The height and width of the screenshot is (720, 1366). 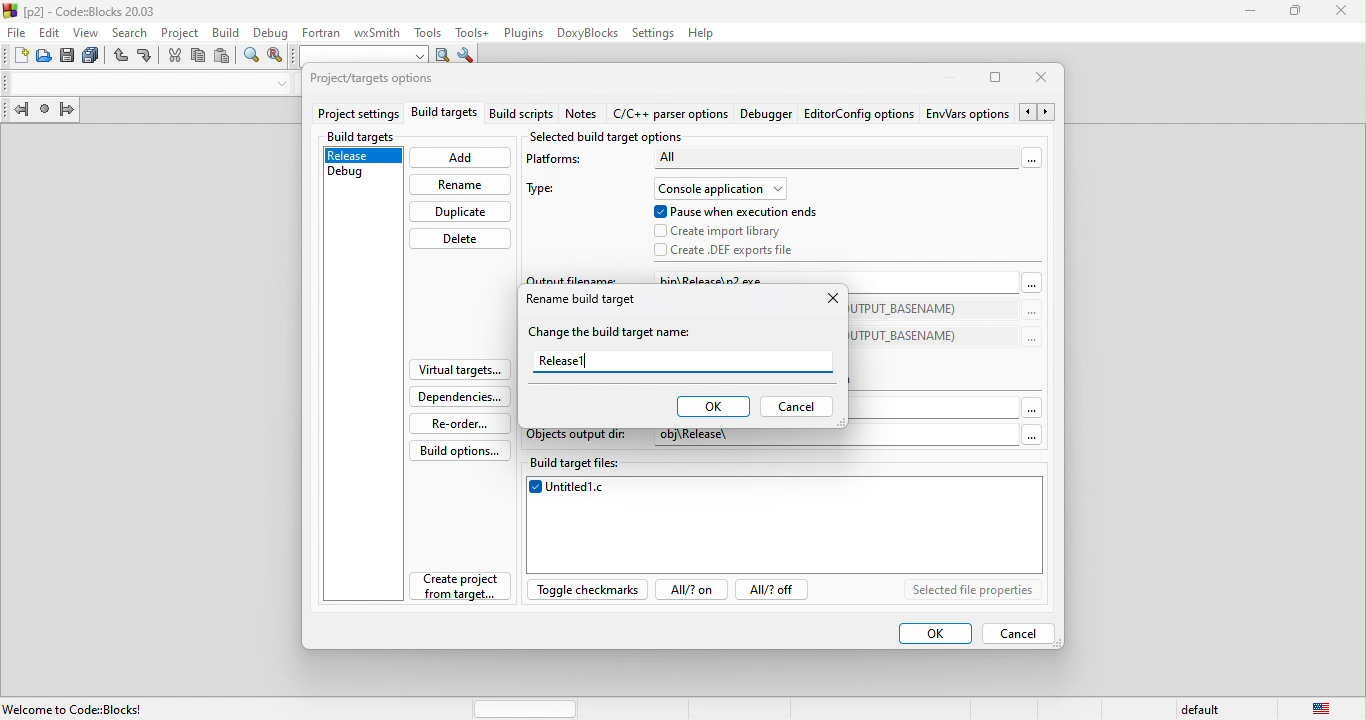 What do you see at coordinates (375, 31) in the screenshot?
I see `wxsmith` at bounding box center [375, 31].